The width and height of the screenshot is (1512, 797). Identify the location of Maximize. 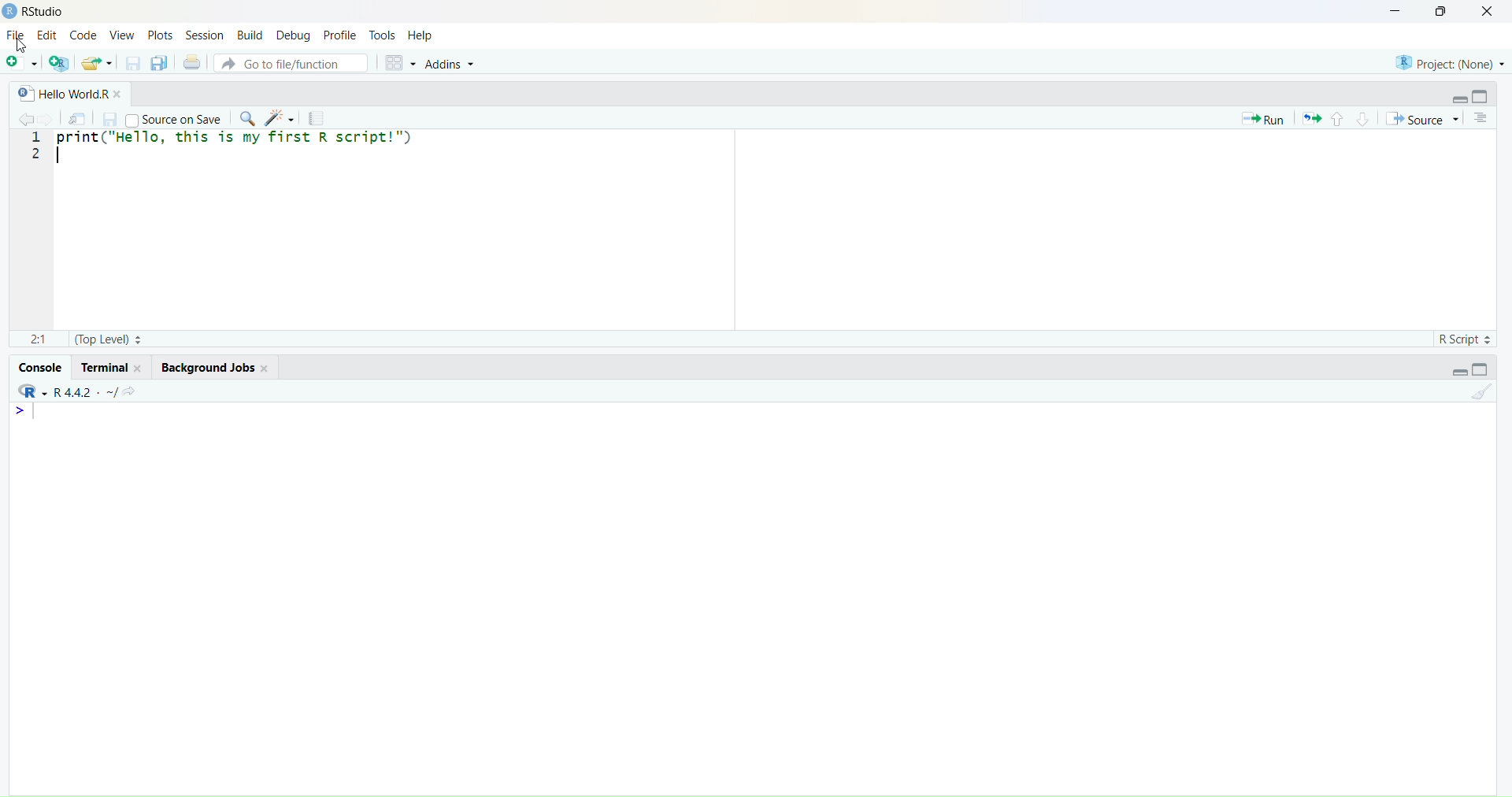
(1484, 96).